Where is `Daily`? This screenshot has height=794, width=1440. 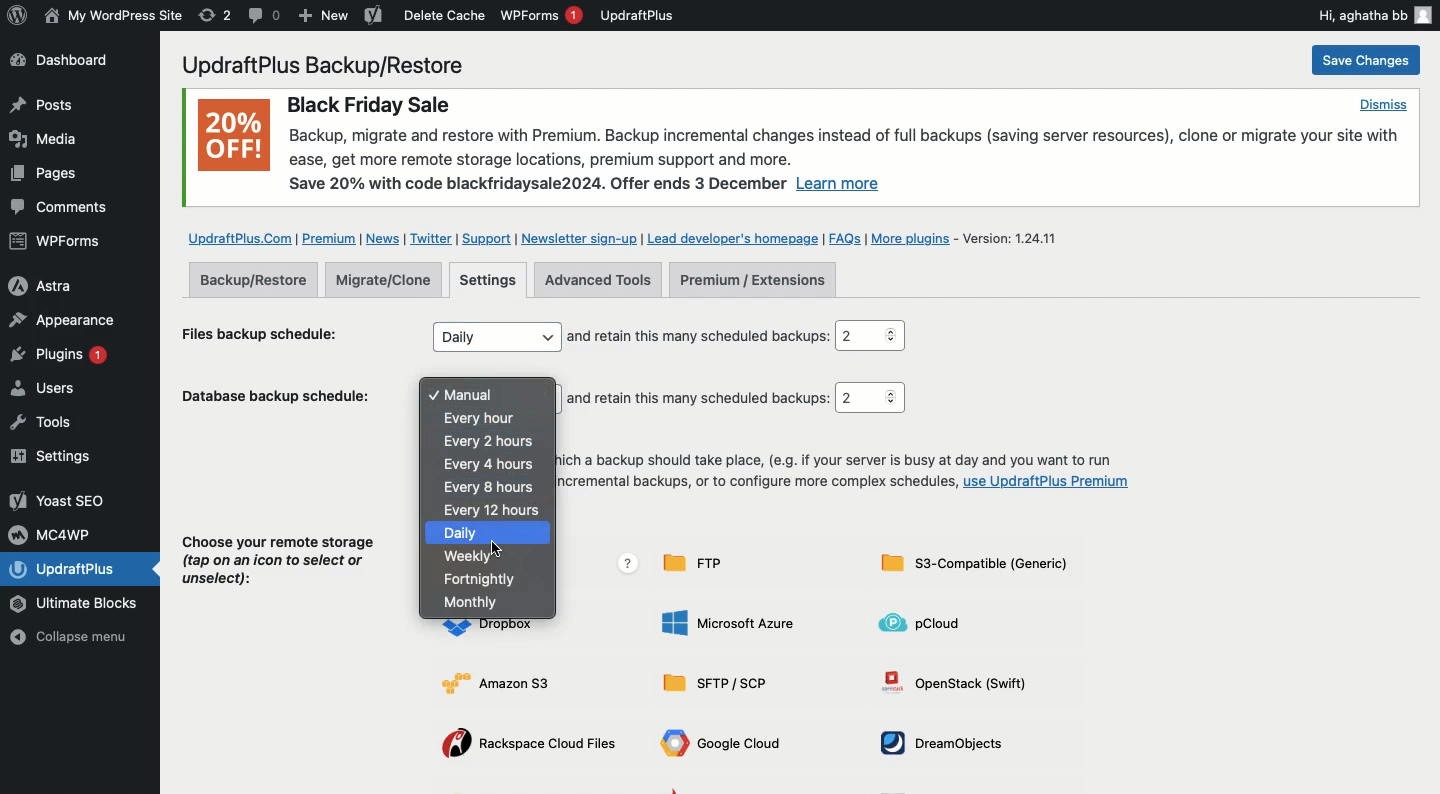 Daily is located at coordinates (491, 534).